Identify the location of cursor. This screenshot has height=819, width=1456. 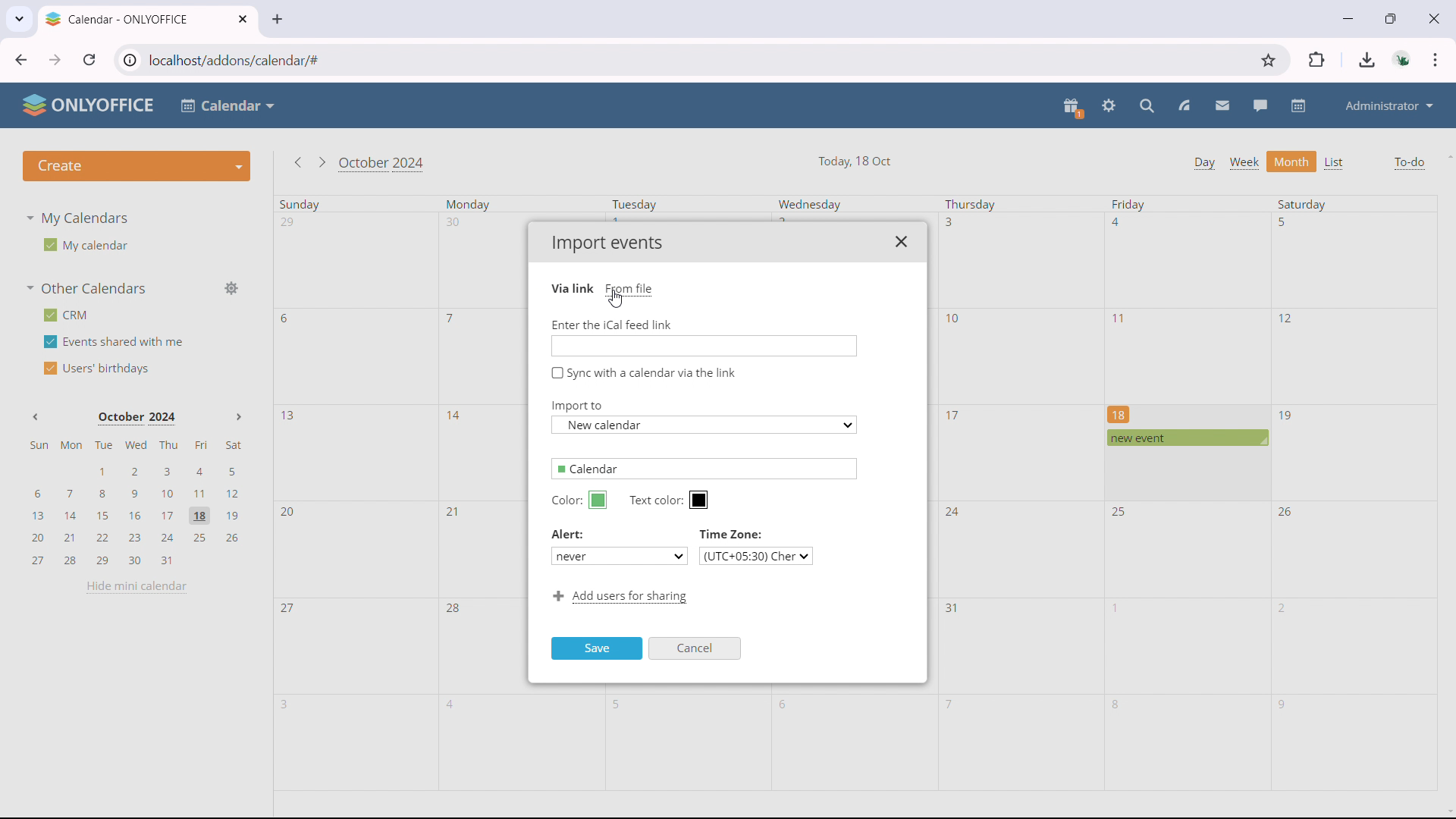
(617, 301).